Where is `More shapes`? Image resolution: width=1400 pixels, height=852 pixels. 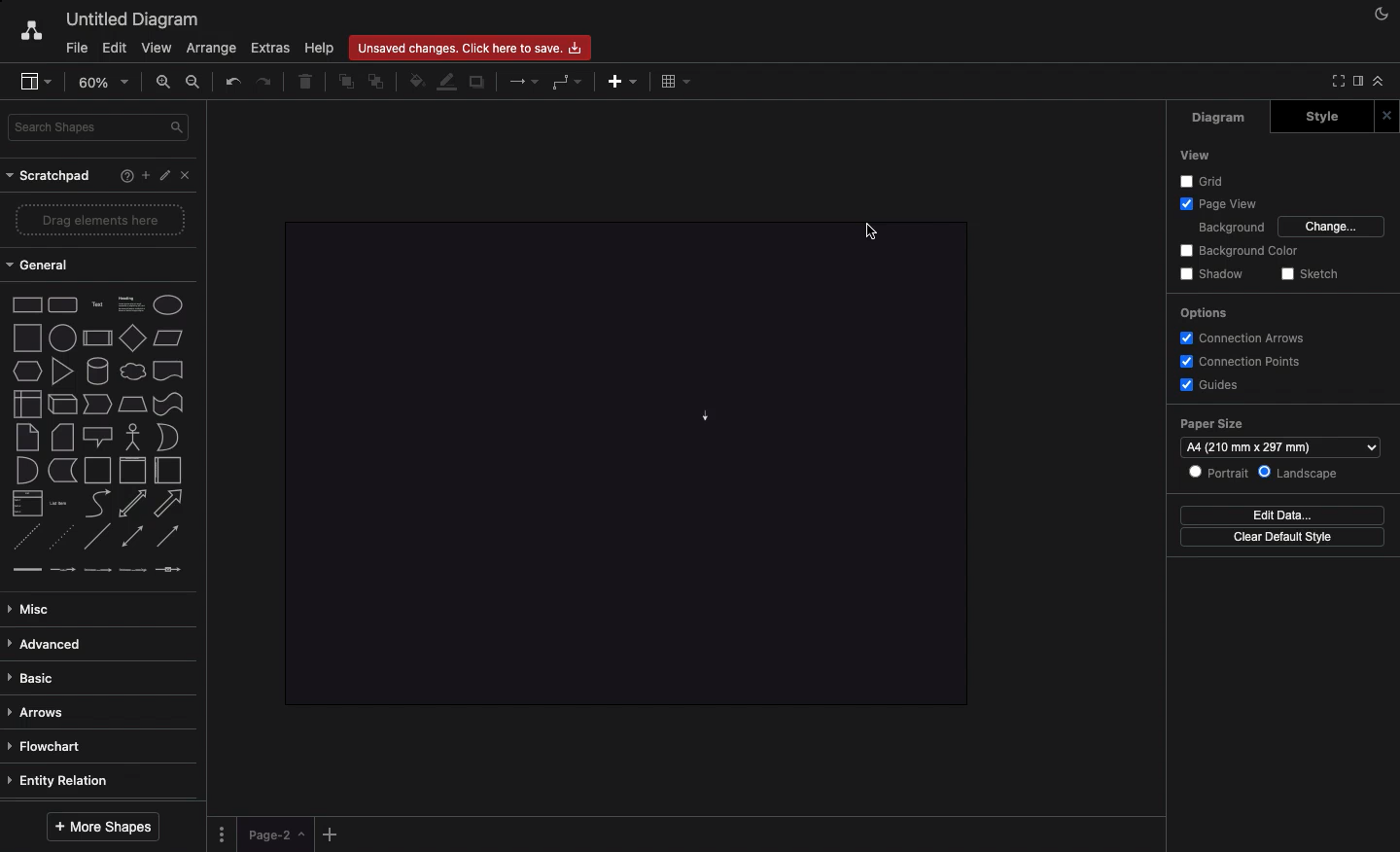 More shapes is located at coordinates (104, 828).